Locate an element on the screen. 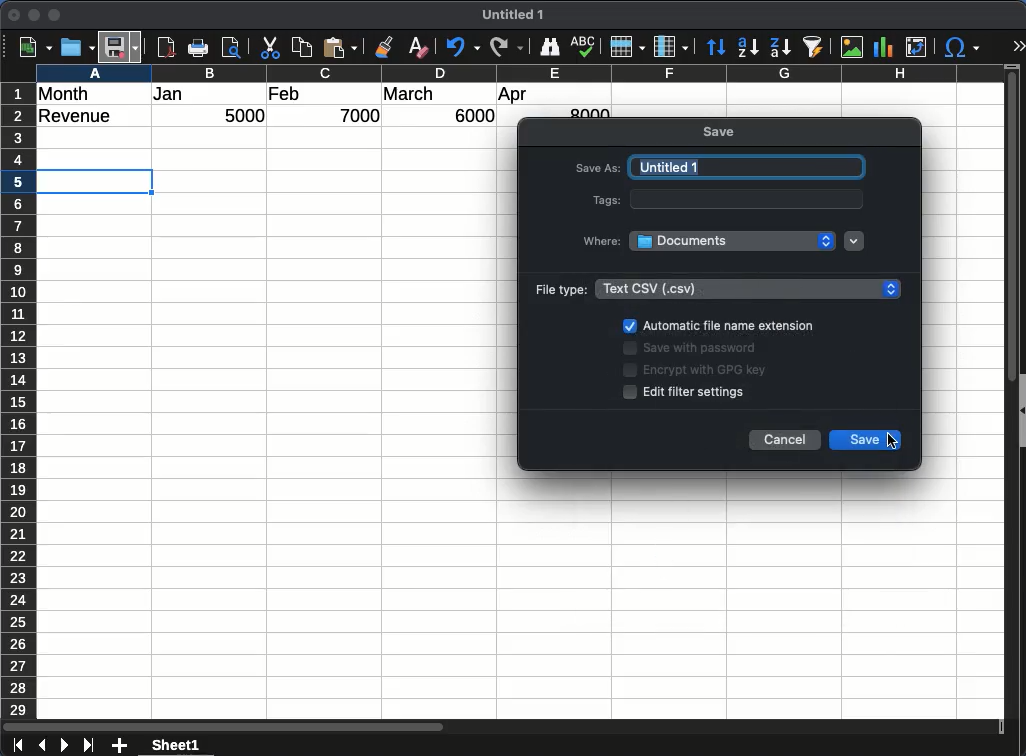 The image size is (1026, 756). collapse is located at coordinates (1020, 408).